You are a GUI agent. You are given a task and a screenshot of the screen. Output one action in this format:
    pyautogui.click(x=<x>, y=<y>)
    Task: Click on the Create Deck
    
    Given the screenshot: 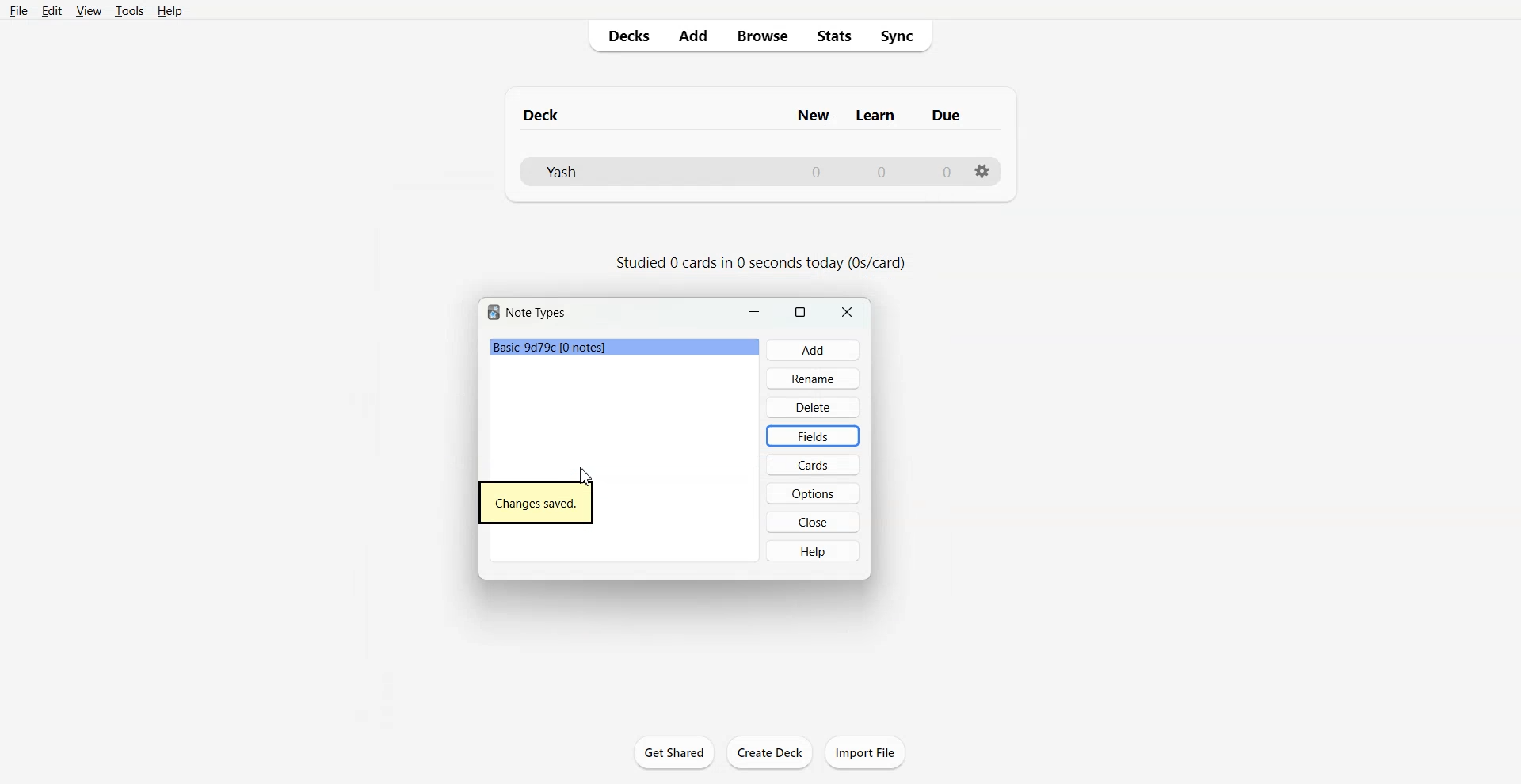 What is the action you would take?
    pyautogui.click(x=771, y=752)
    